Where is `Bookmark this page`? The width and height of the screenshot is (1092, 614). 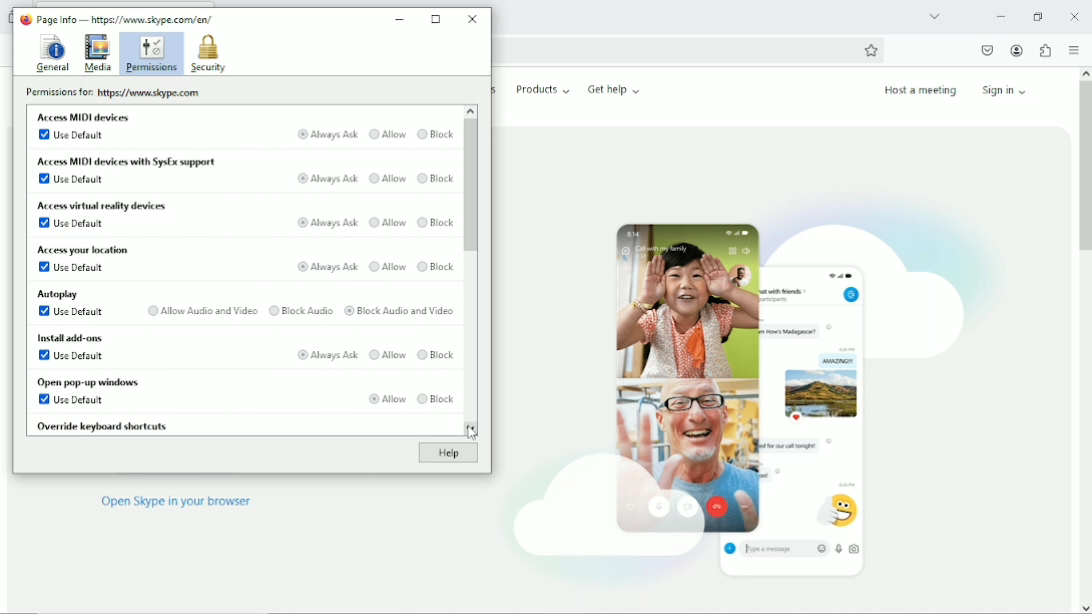 Bookmark this page is located at coordinates (871, 50).